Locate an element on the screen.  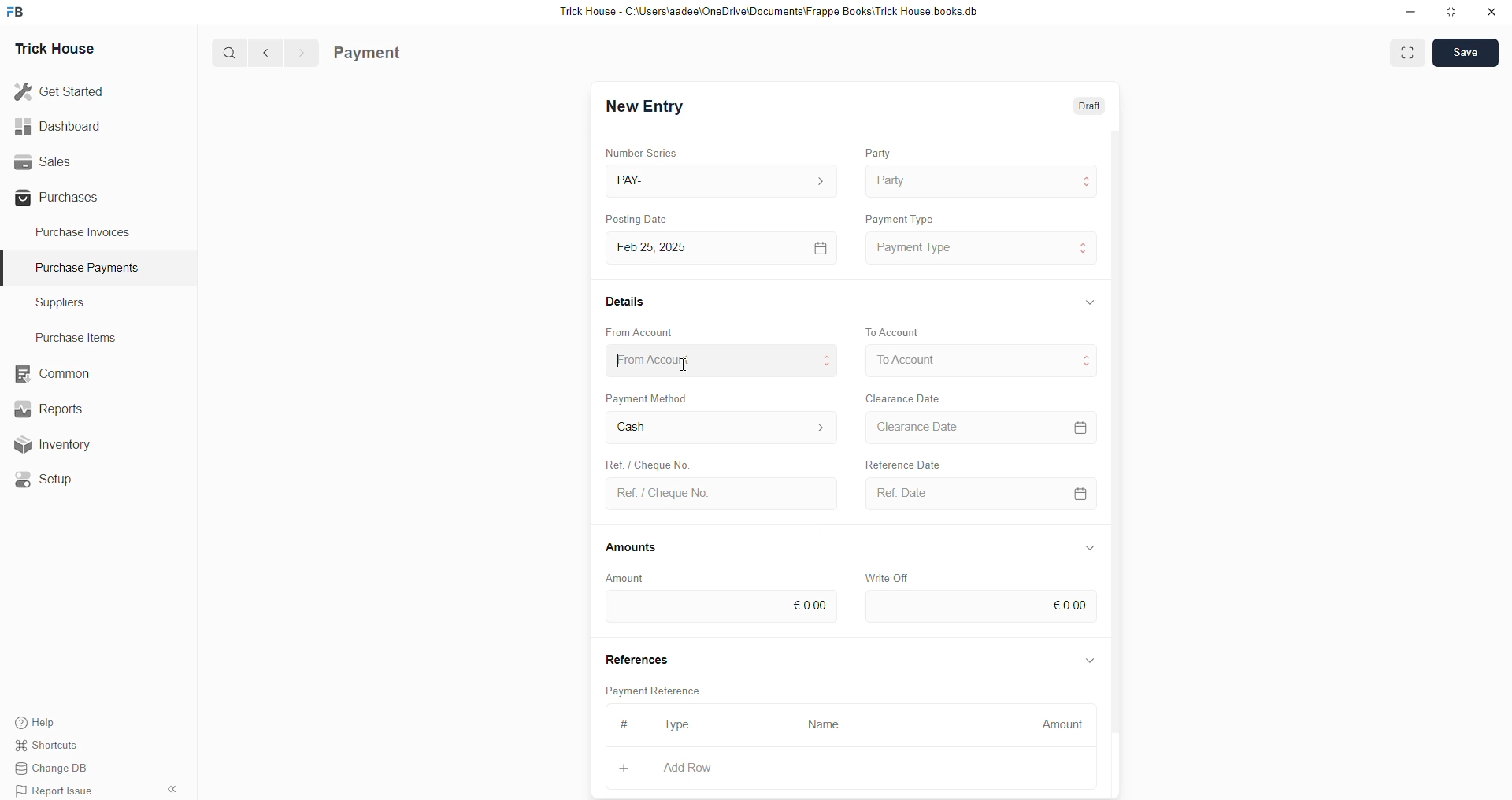
Report Issue is located at coordinates (59, 791).